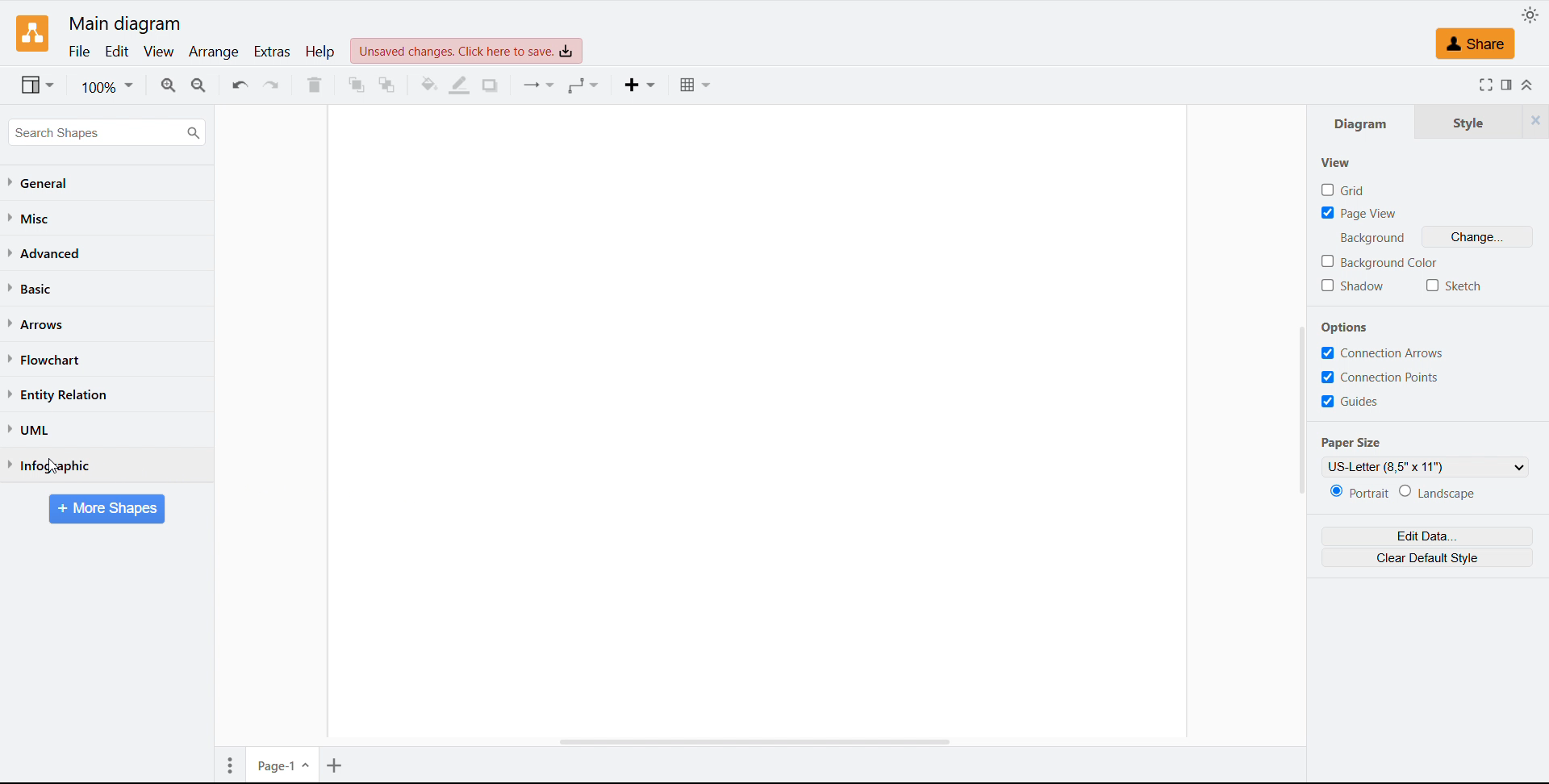 The image size is (1549, 784). Describe the element at coordinates (41, 184) in the screenshot. I see `General ` at that location.